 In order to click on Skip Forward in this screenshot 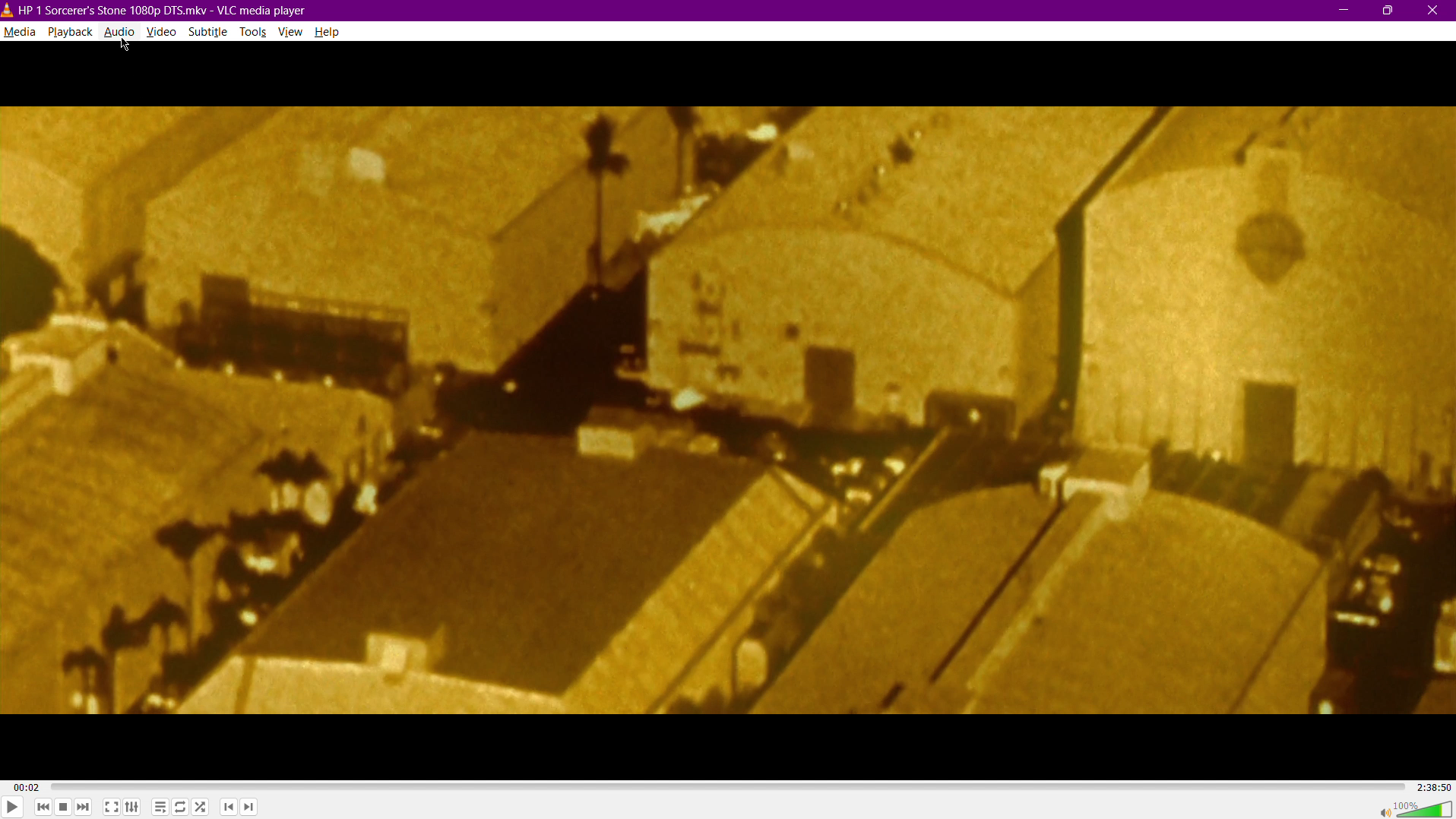, I will do `click(84, 808)`.